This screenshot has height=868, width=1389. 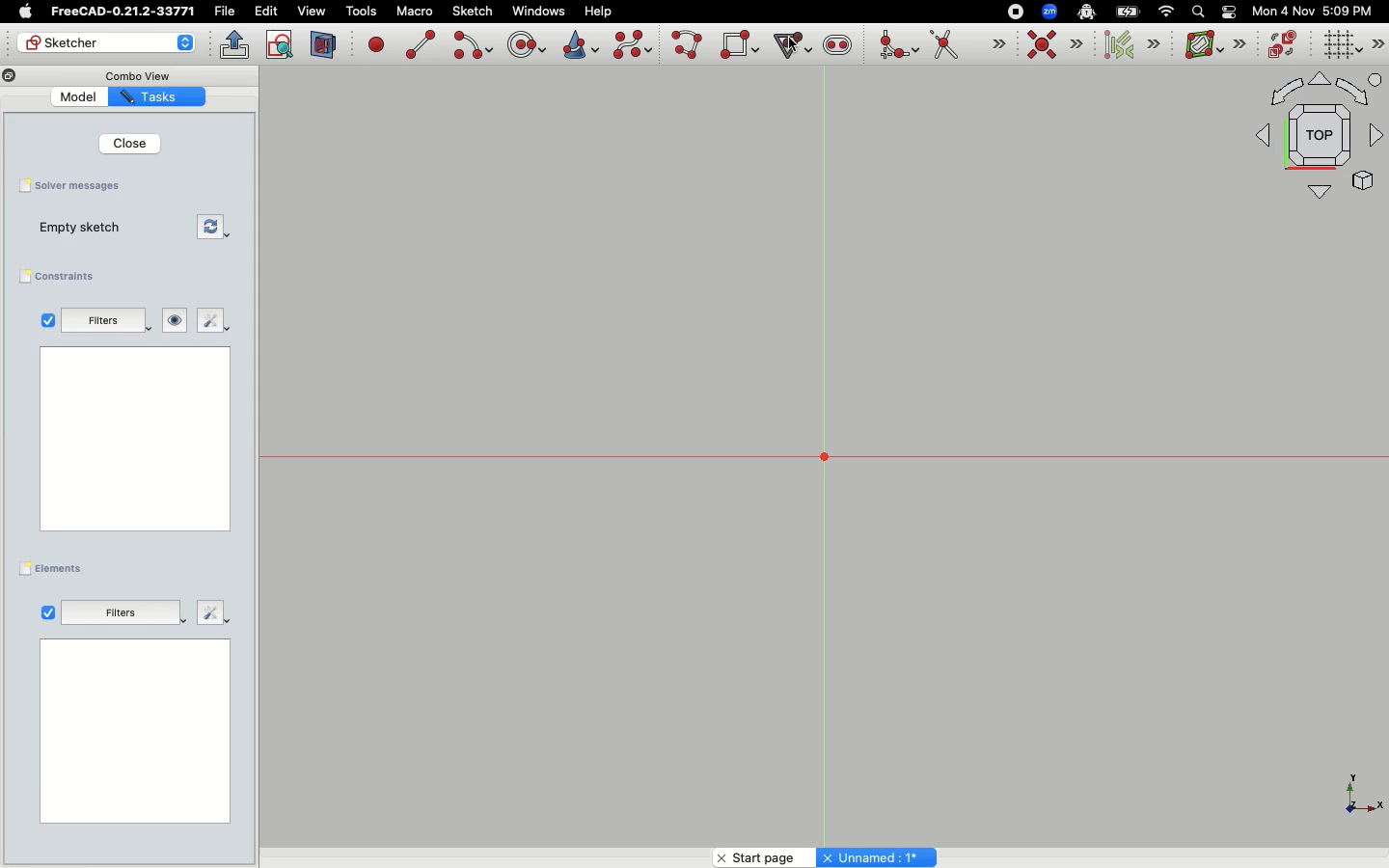 I want to click on Create point, so click(x=377, y=43).